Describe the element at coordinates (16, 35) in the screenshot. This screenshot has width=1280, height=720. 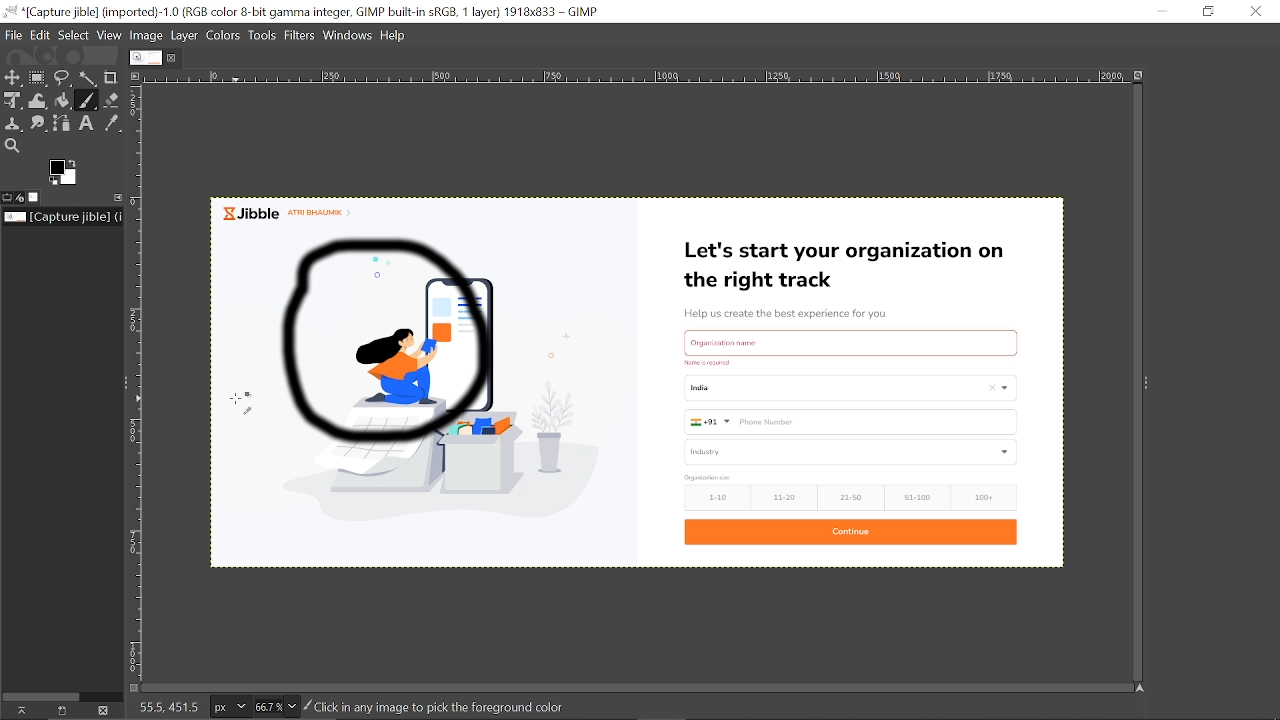
I see `File` at that location.